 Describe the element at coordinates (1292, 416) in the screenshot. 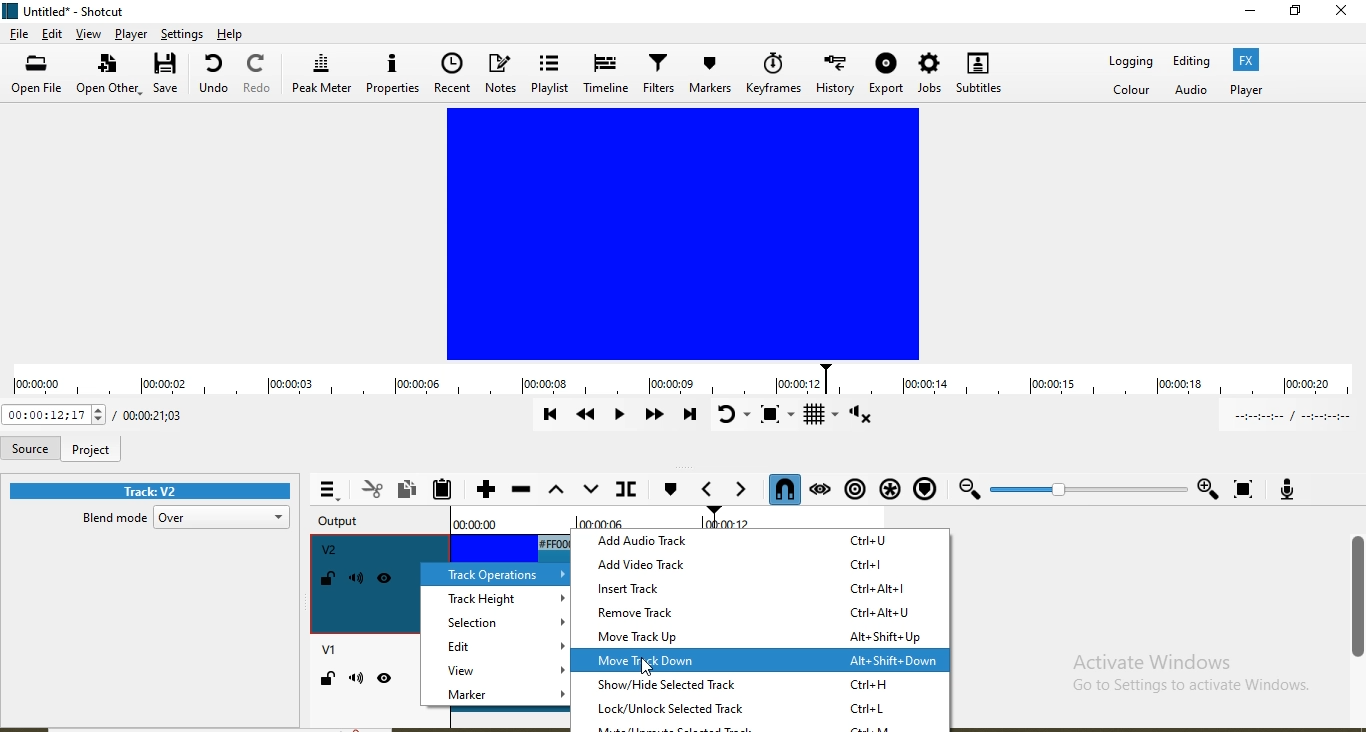

I see `In point` at that location.